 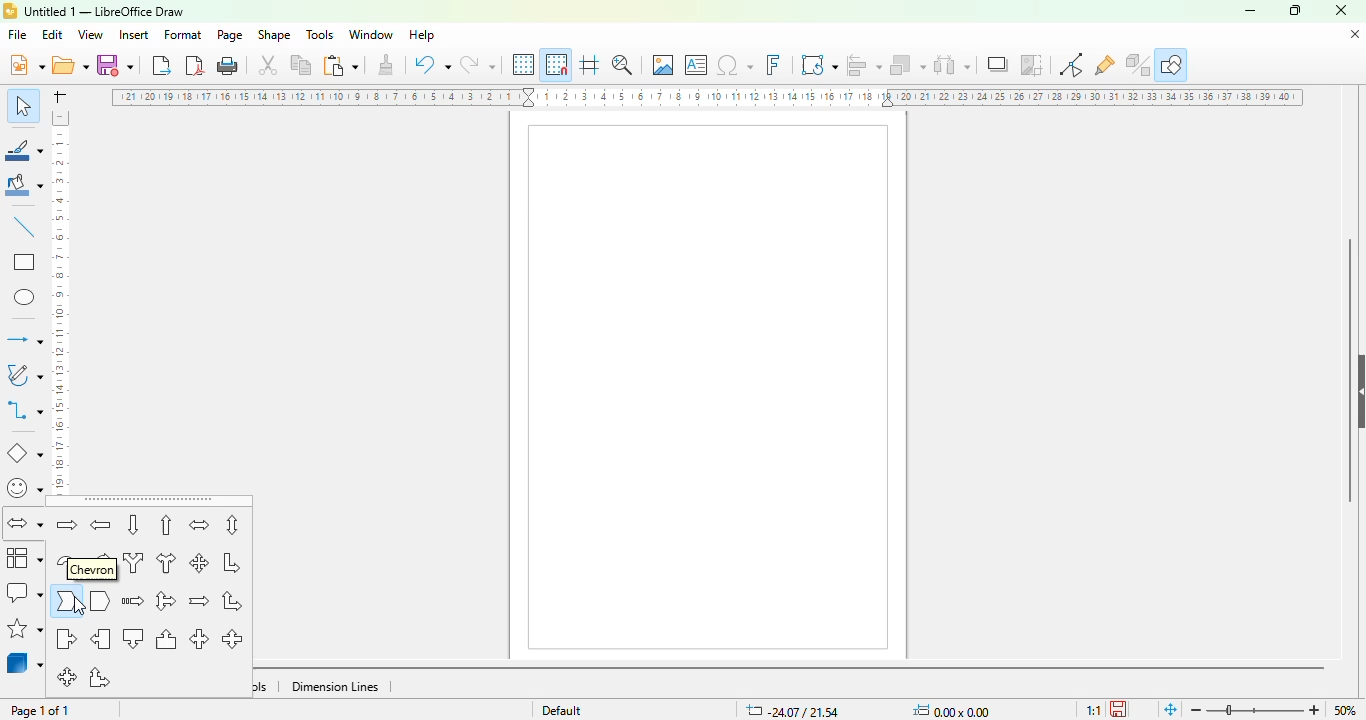 I want to click on basic shapes, so click(x=25, y=454).